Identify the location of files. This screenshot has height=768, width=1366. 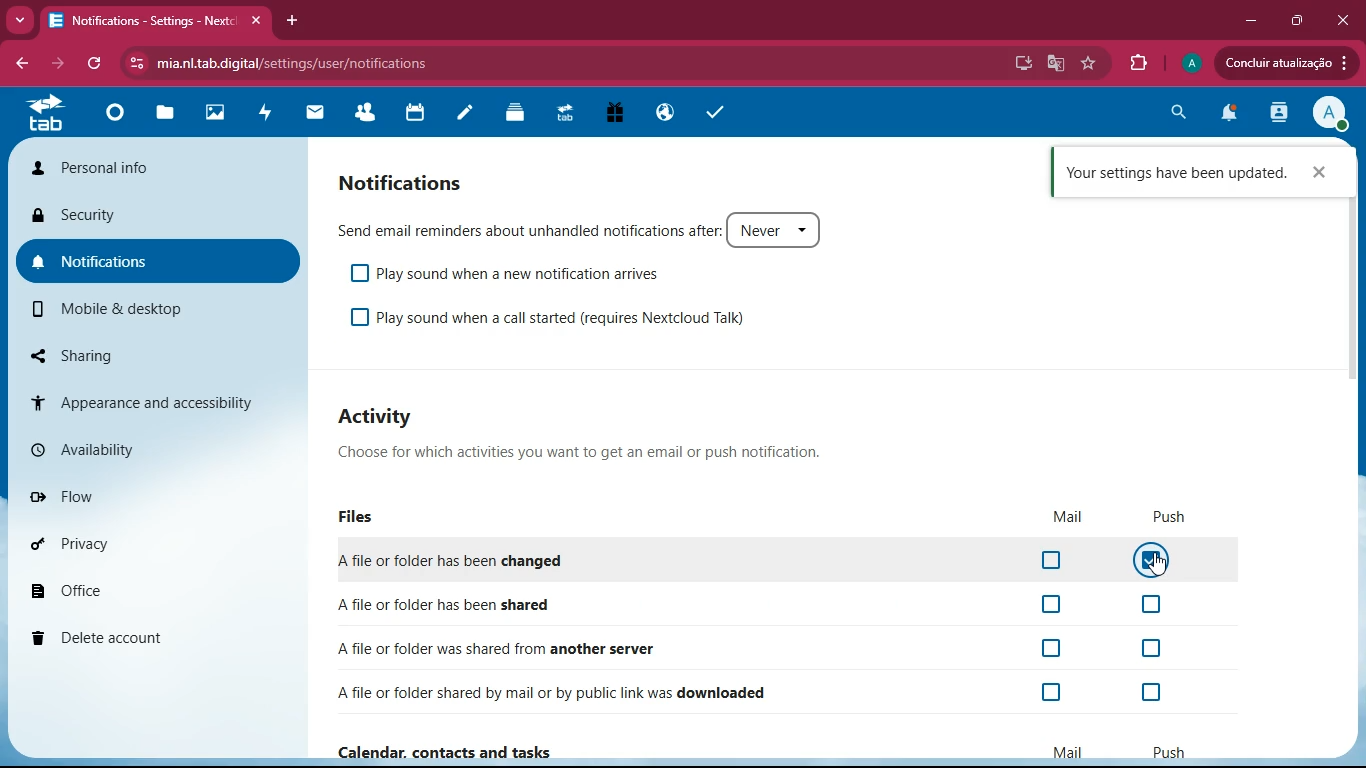
(165, 114).